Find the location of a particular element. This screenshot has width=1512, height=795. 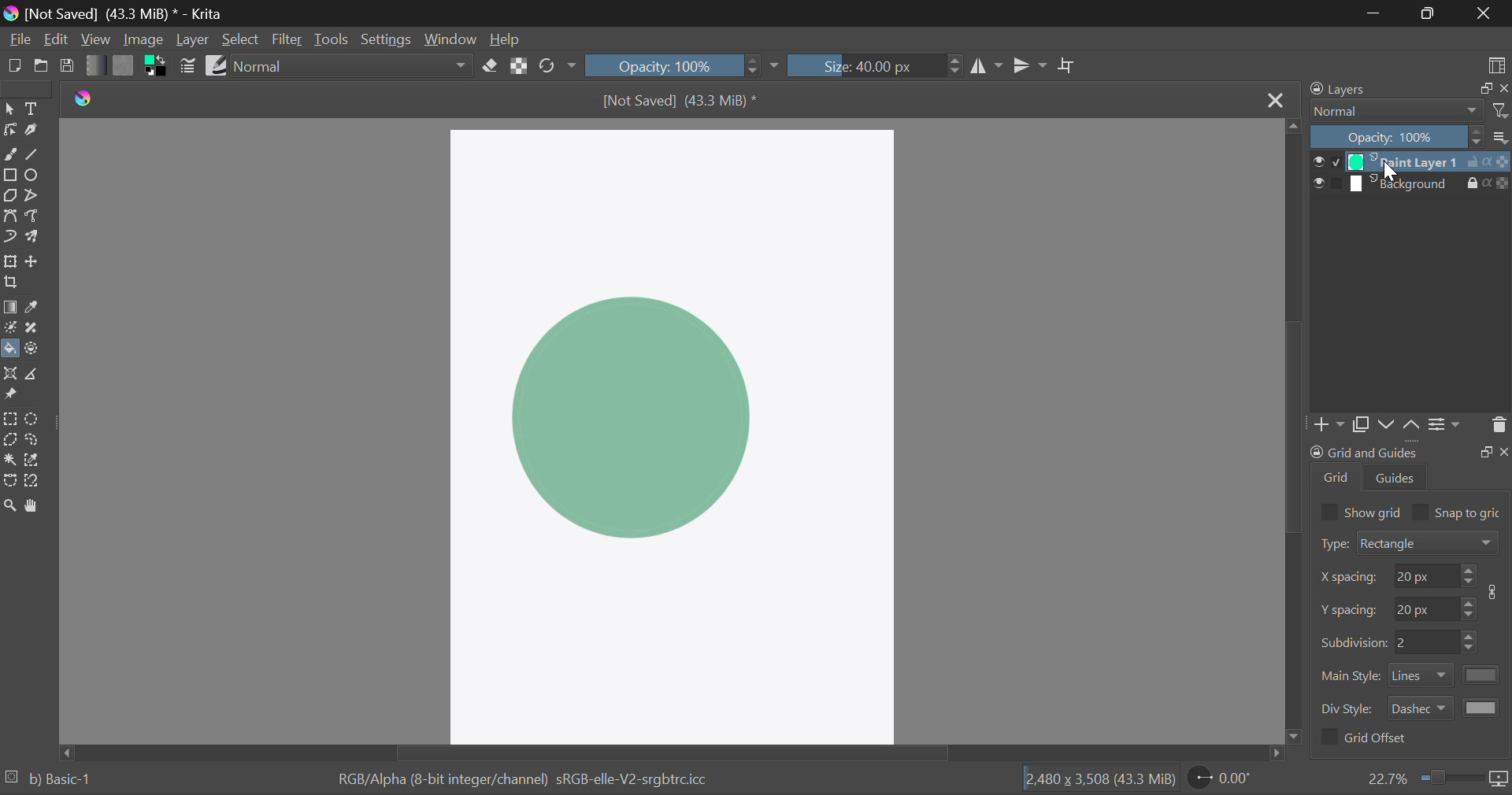

logo is located at coordinates (83, 97).